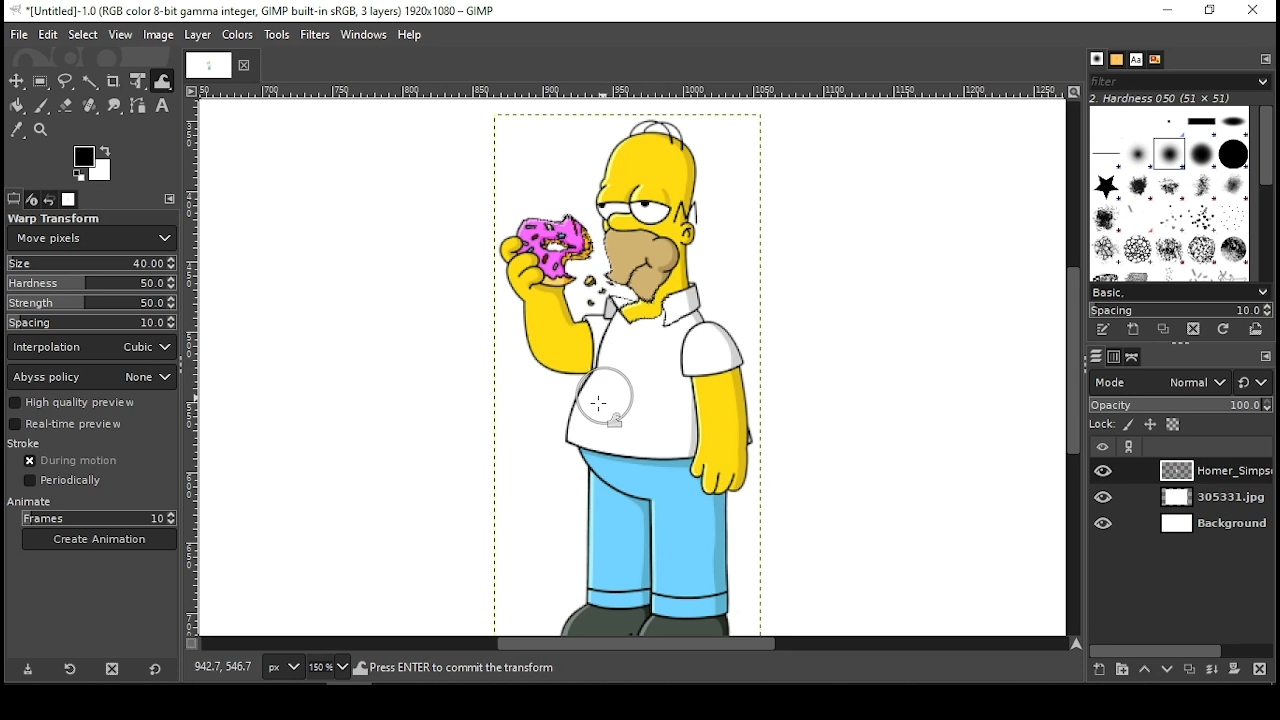 This screenshot has height=720, width=1280. What do you see at coordinates (20, 35) in the screenshot?
I see `file` at bounding box center [20, 35].